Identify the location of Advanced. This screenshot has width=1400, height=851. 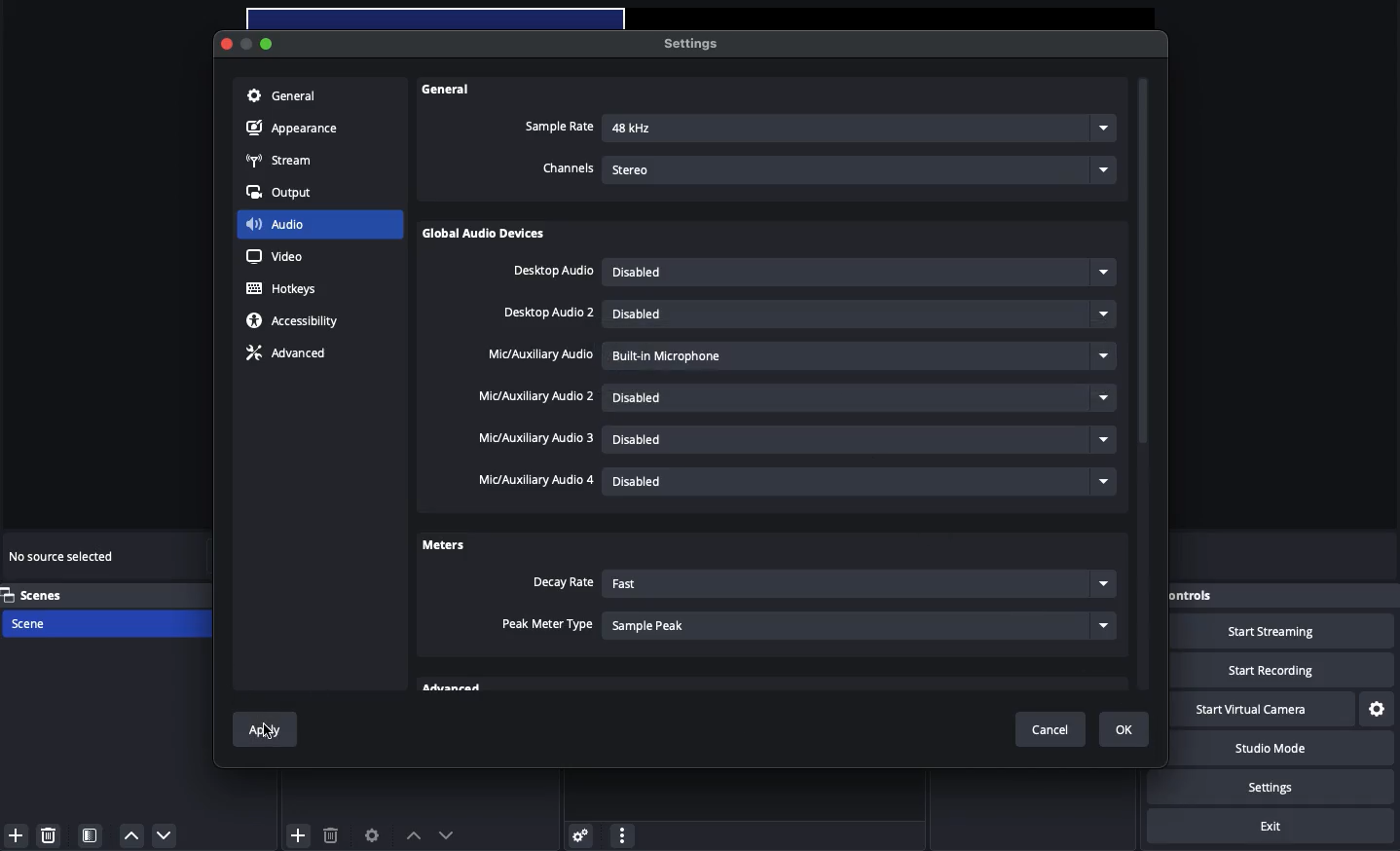
(284, 355).